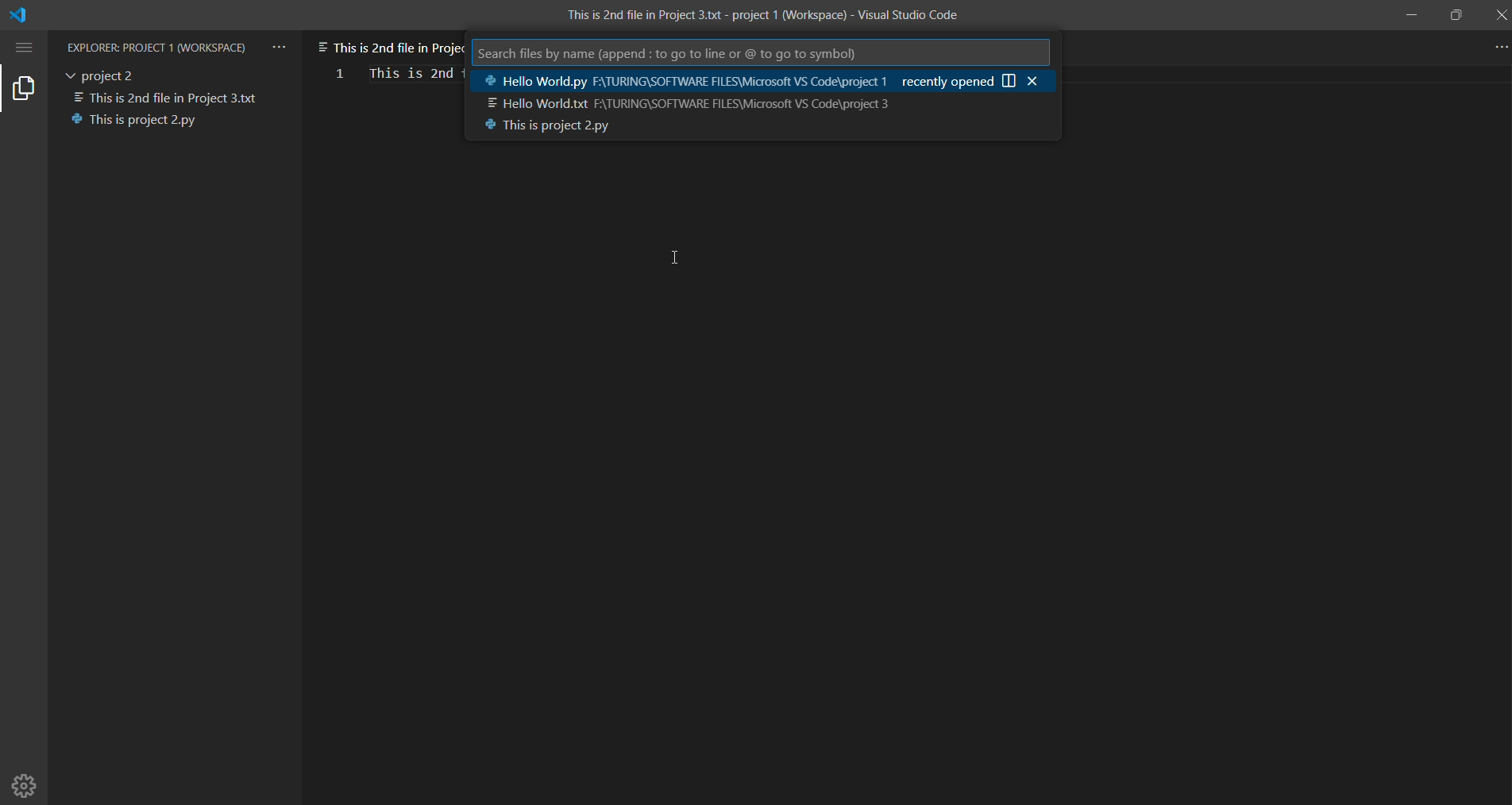  Describe the element at coordinates (26, 784) in the screenshot. I see `manage` at that location.